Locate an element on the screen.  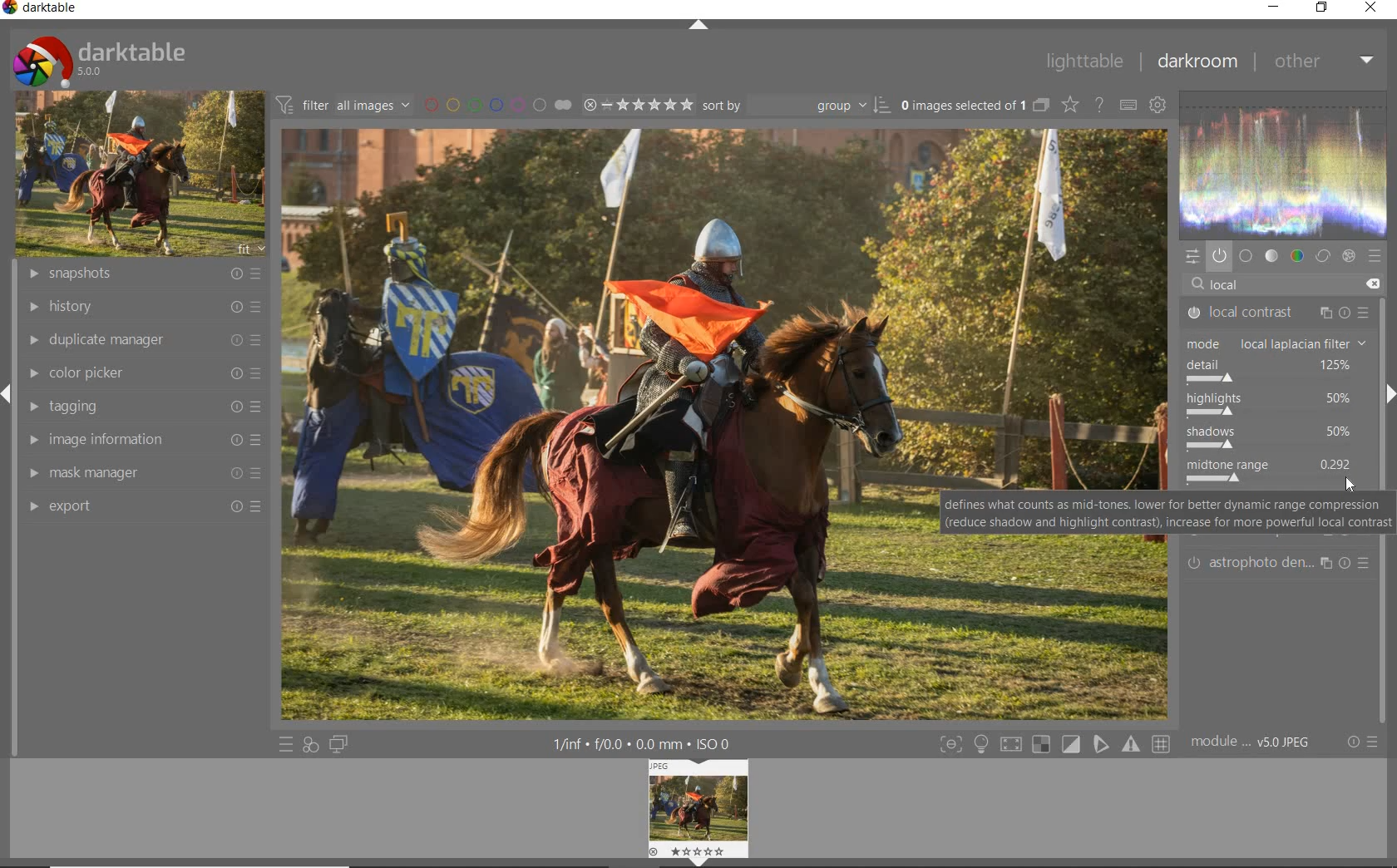
show global preferences is located at coordinates (1158, 107).